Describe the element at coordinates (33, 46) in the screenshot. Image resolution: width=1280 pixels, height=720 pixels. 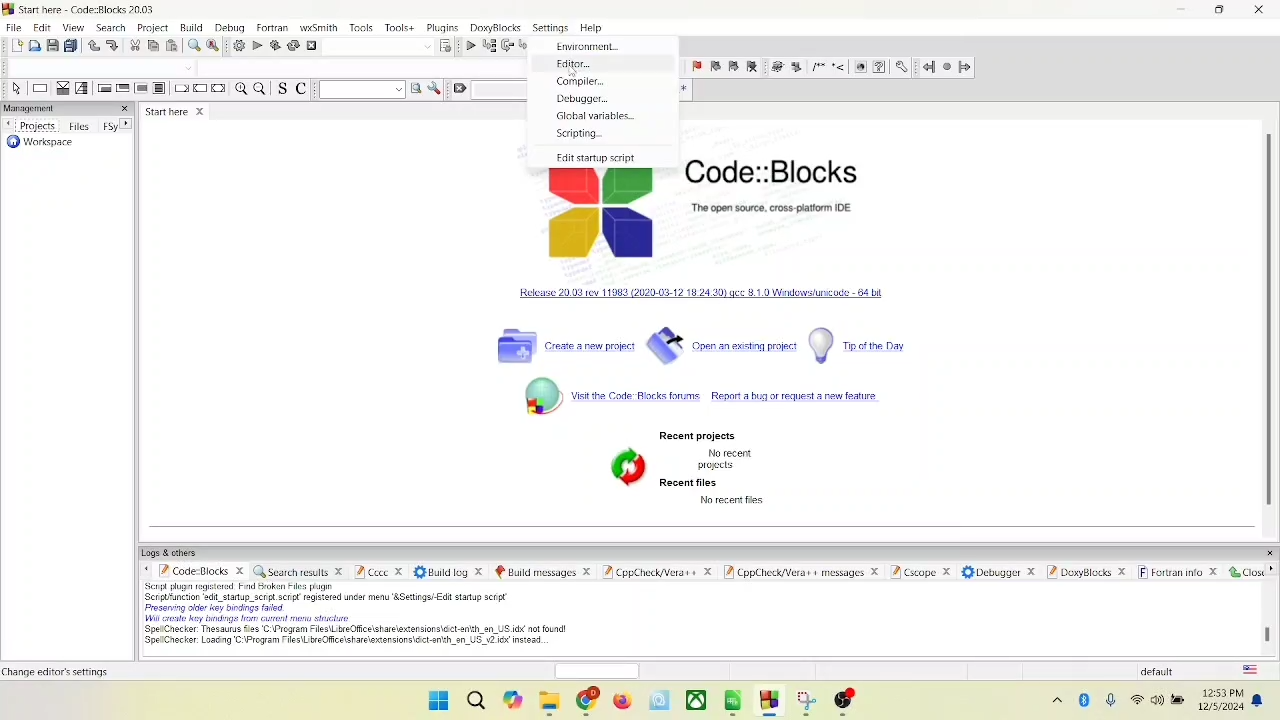
I see `open` at that location.